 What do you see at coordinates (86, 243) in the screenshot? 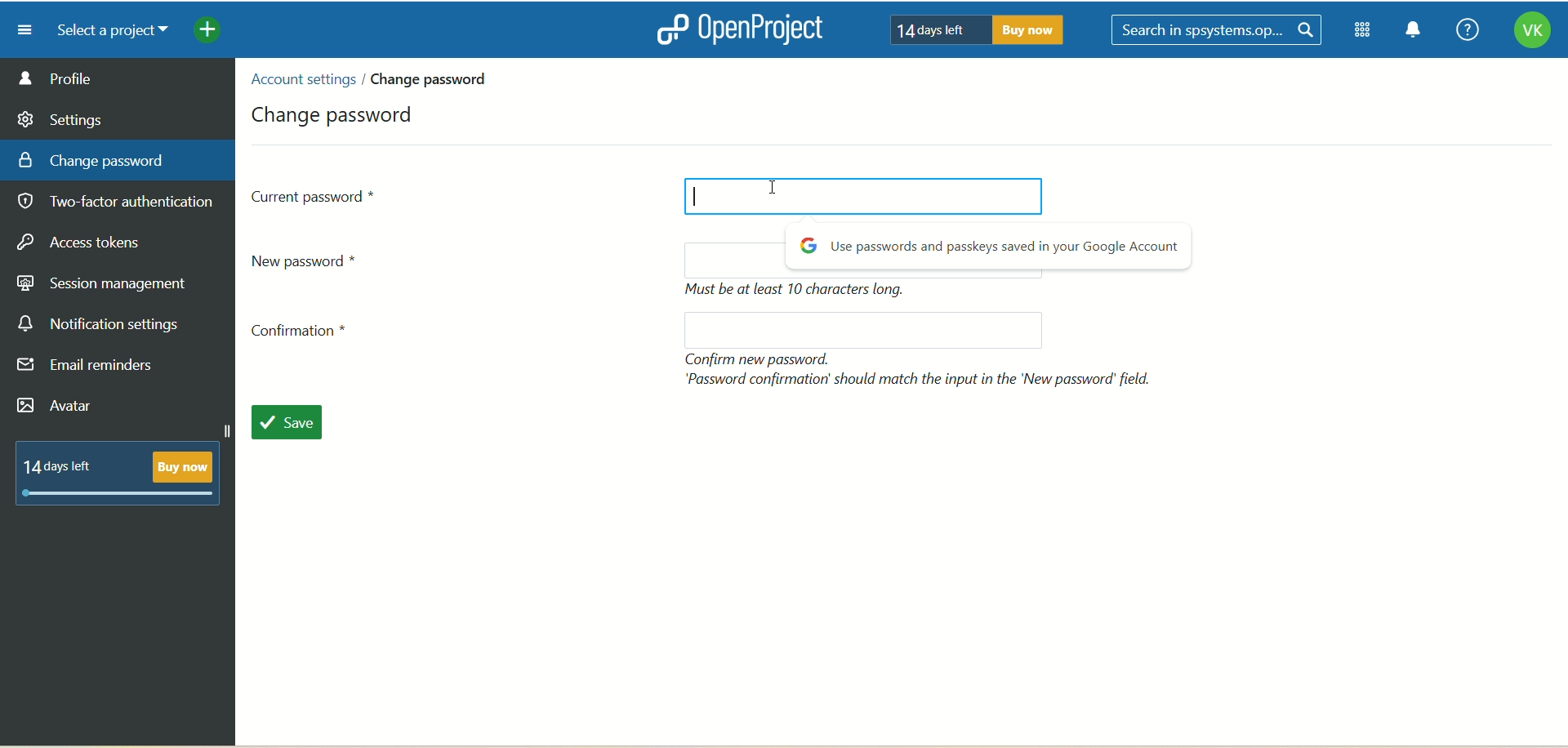
I see `access takers` at bounding box center [86, 243].